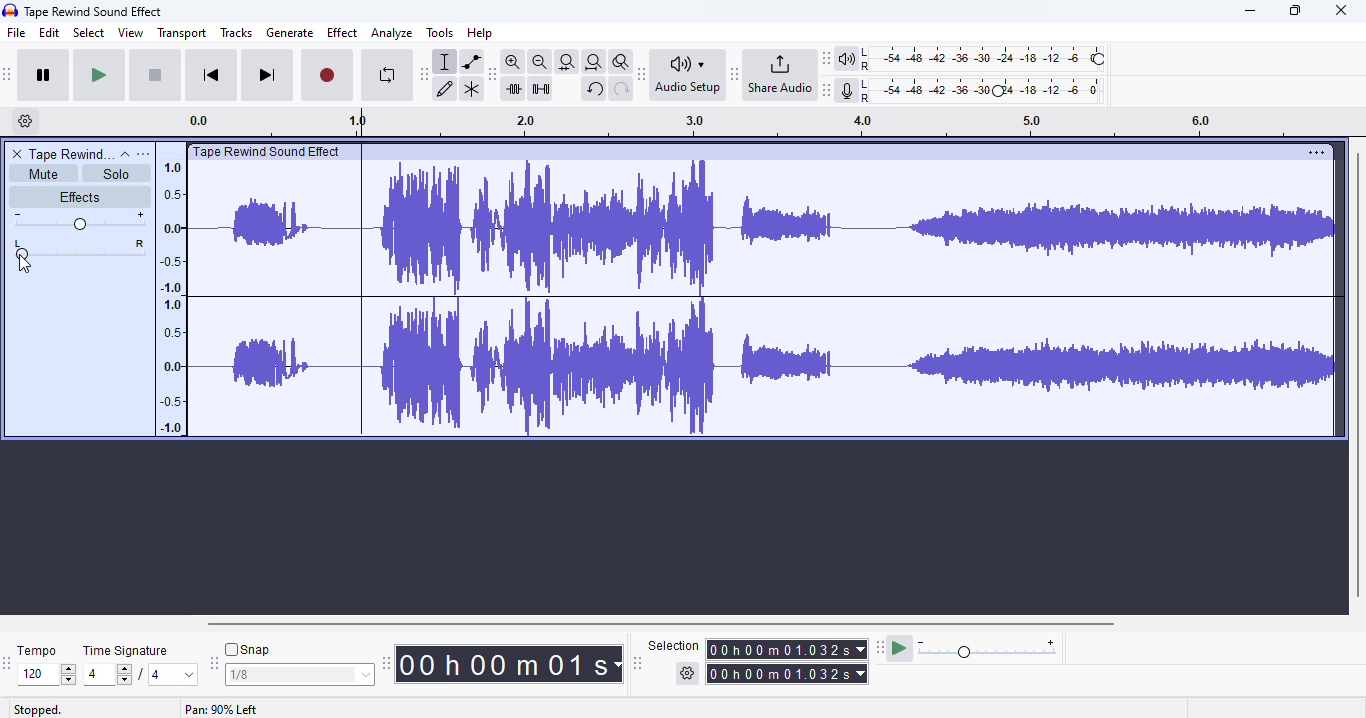 This screenshot has height=718, width=1366. What do you see at coordinates (386, 663) in the screenshot?
I see `audacity time toolbar` at bounding box center [386, 663].